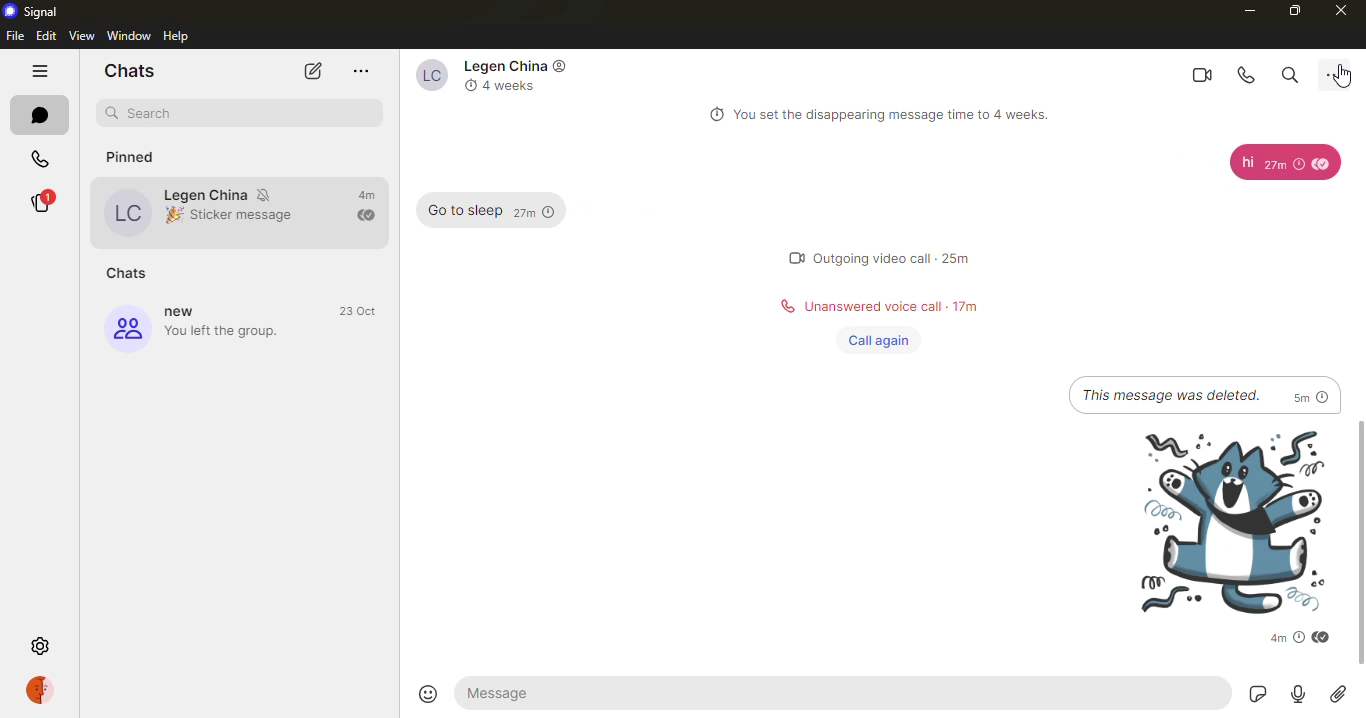 The image size is (1366, 718). Describe the element at coordinates (246, 161) in the screenshot. I see `Legen China` at that location.